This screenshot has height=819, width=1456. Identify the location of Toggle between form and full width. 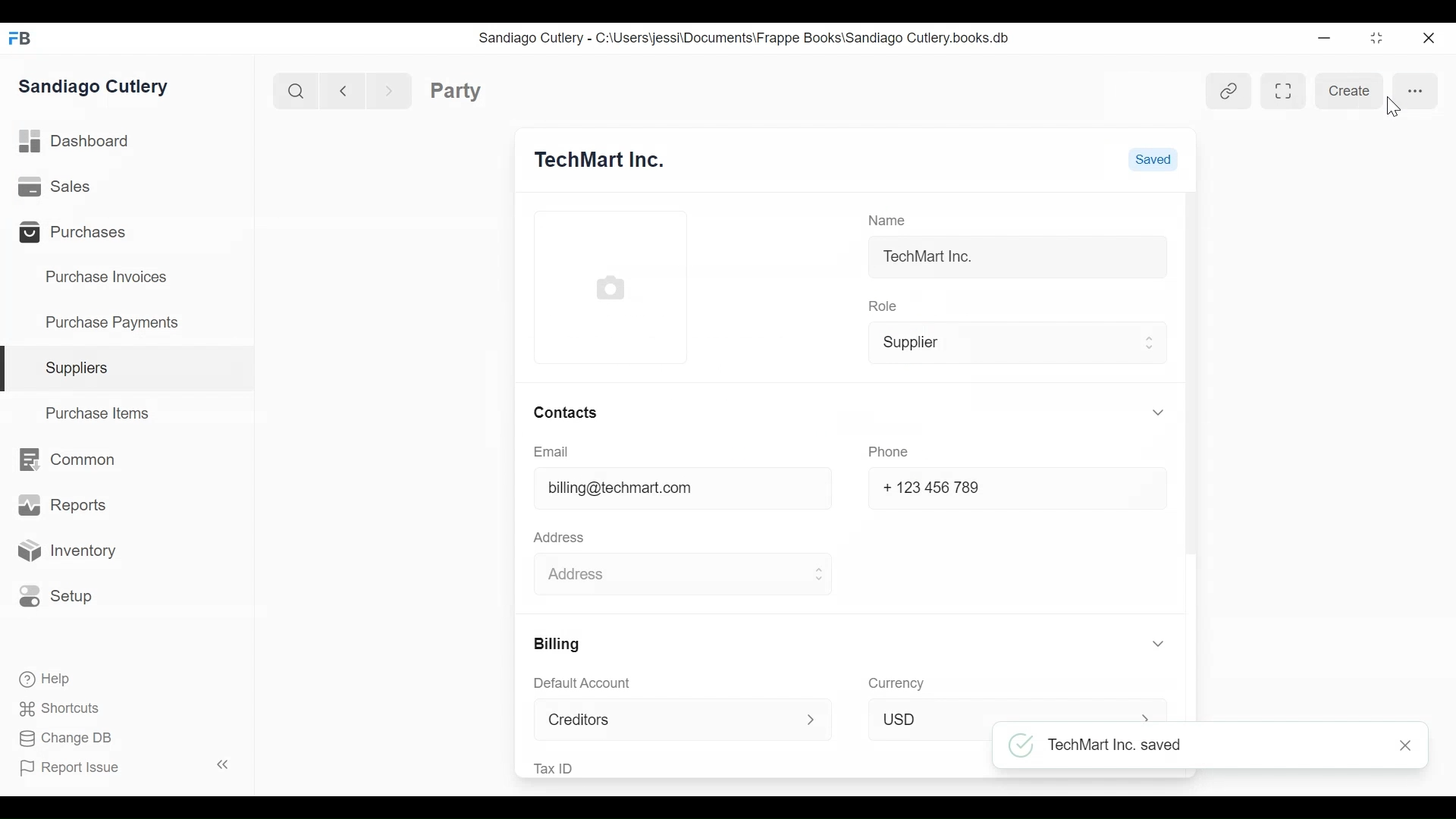
(1287, 93).